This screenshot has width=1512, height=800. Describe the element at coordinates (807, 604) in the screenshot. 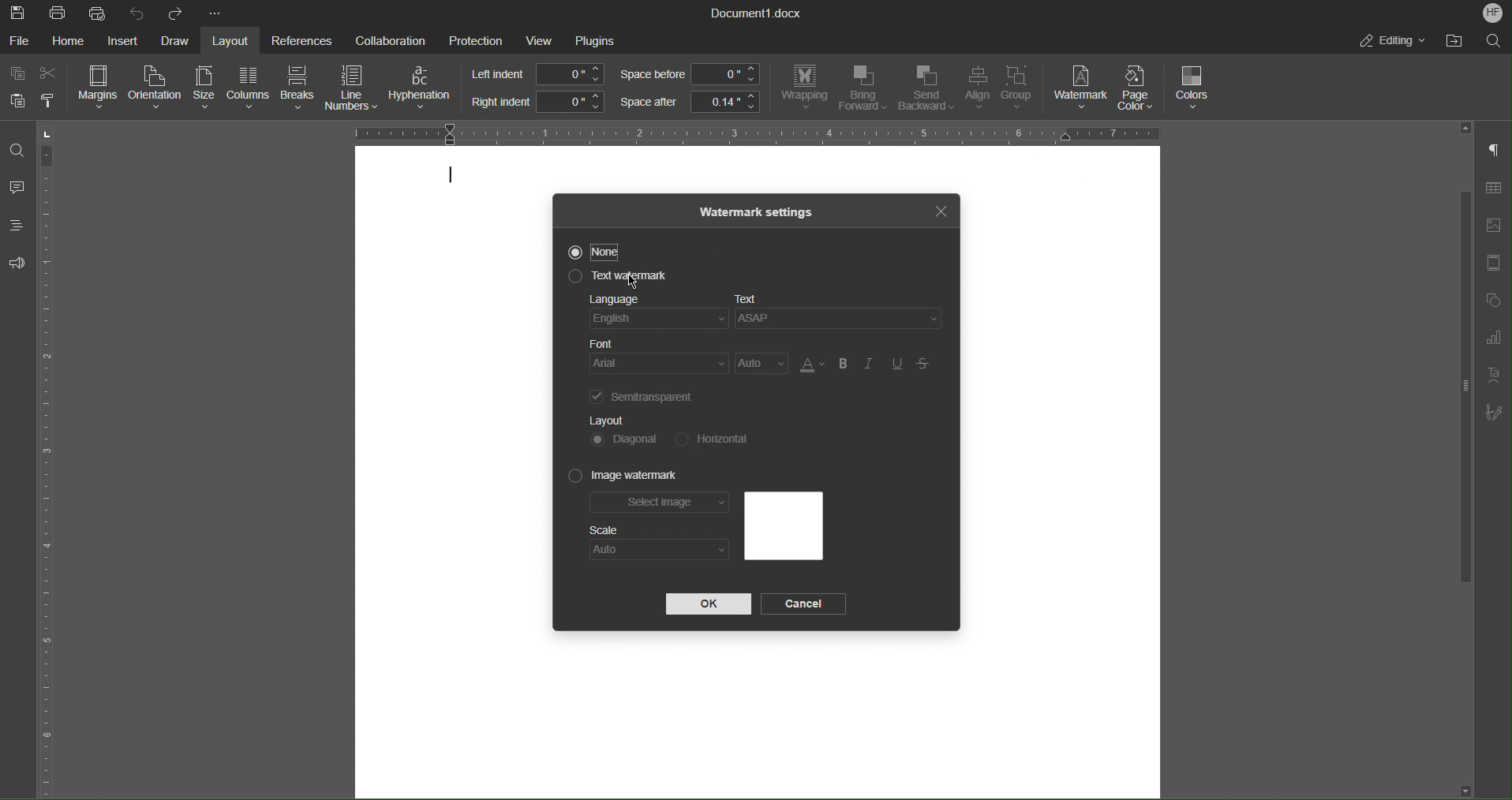

I see `Cancel` at that location.